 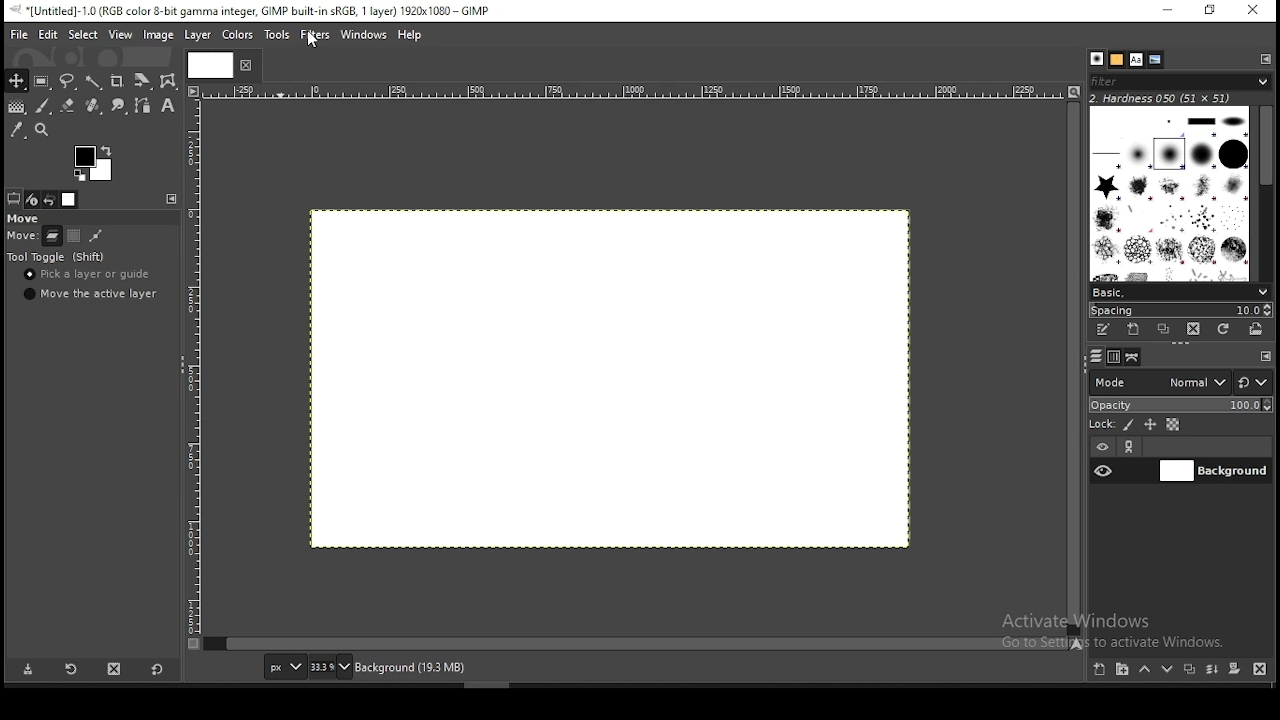 I want to click on layer, so click(x=1214, y=471).